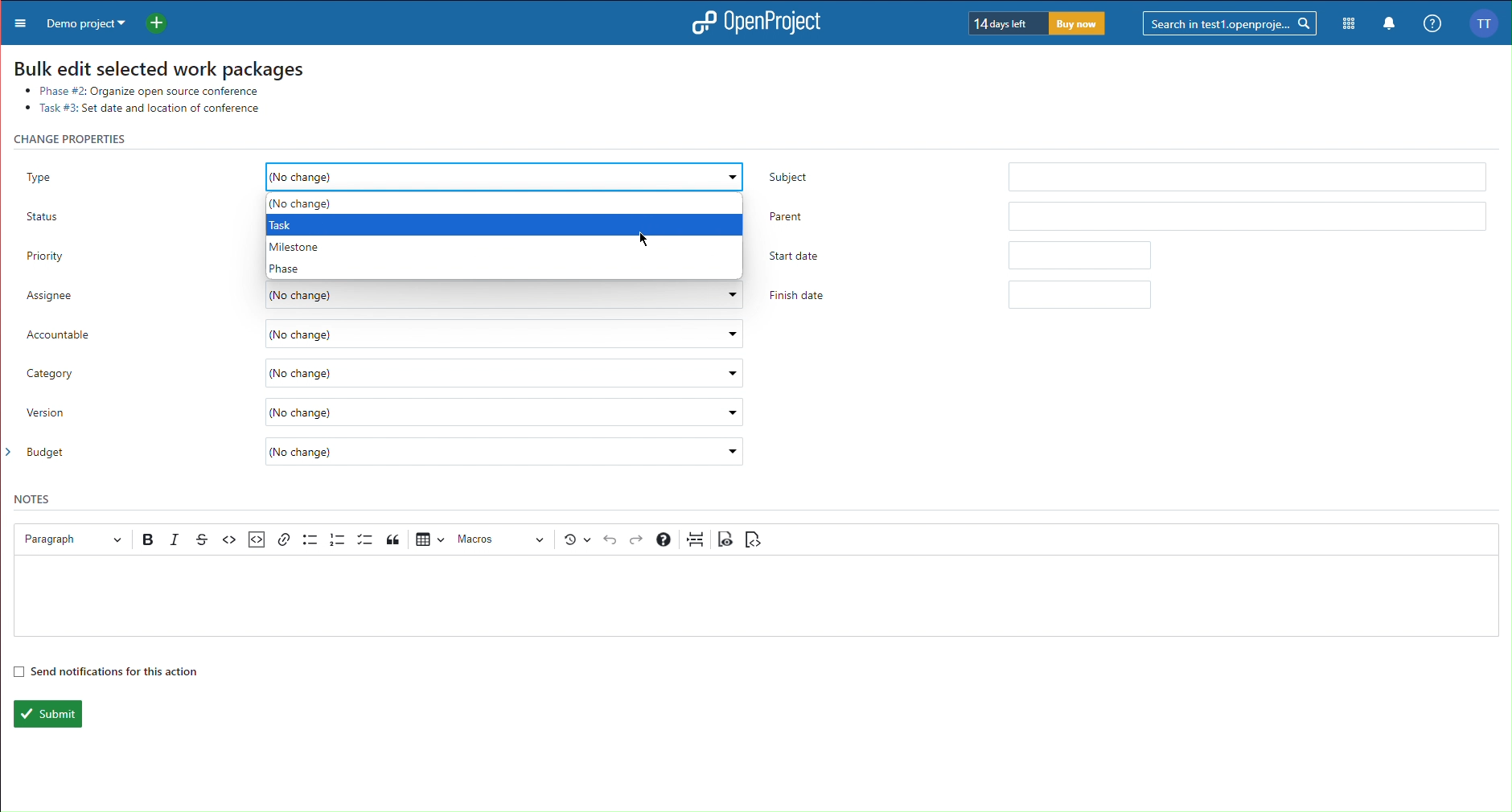 This screenshot has width=1512, height=812. Describe the element at coordinates (503, 539) in the screenshot. I see `Macros` at that location.